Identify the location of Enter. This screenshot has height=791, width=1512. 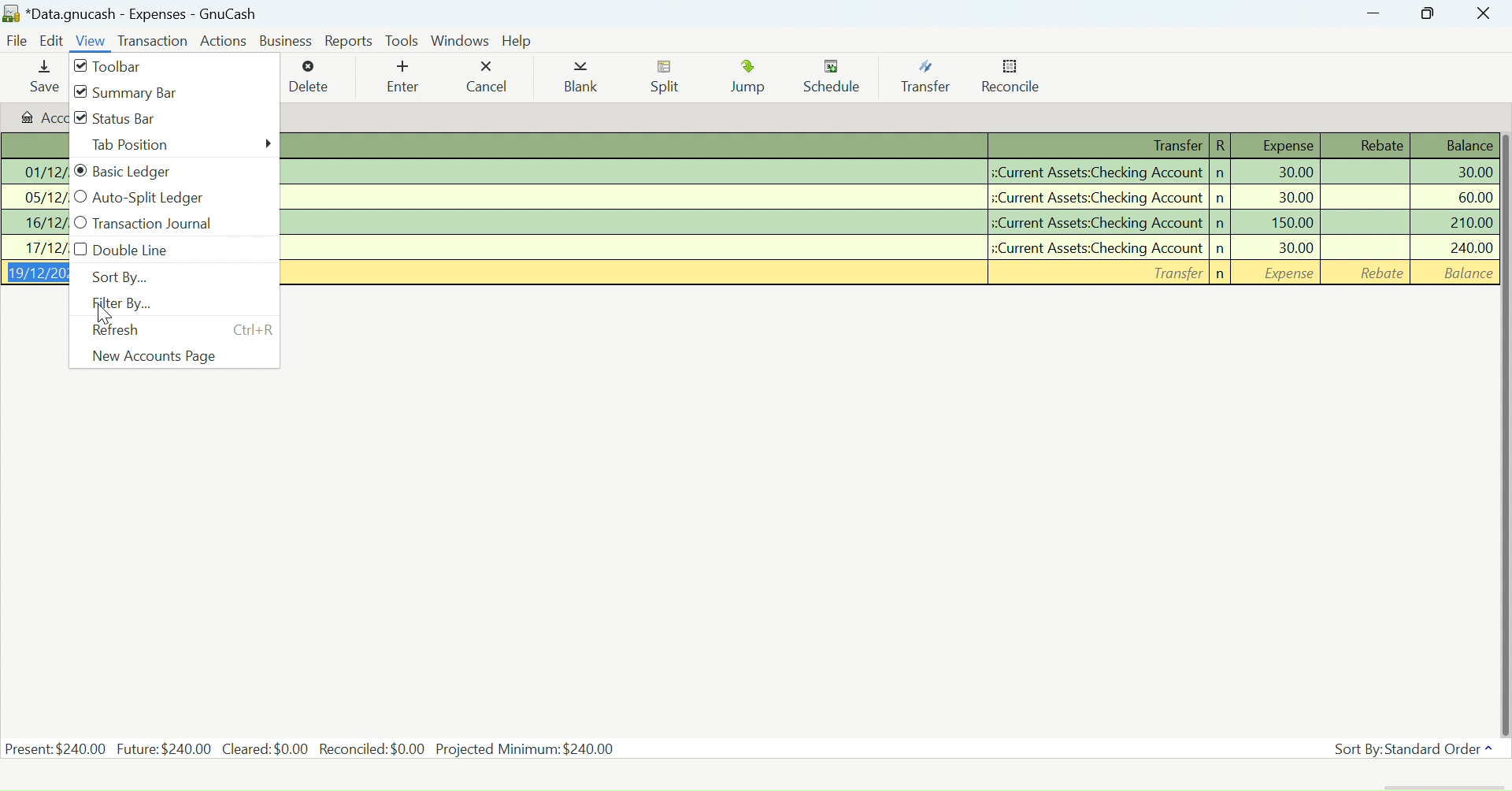
(401, 79).